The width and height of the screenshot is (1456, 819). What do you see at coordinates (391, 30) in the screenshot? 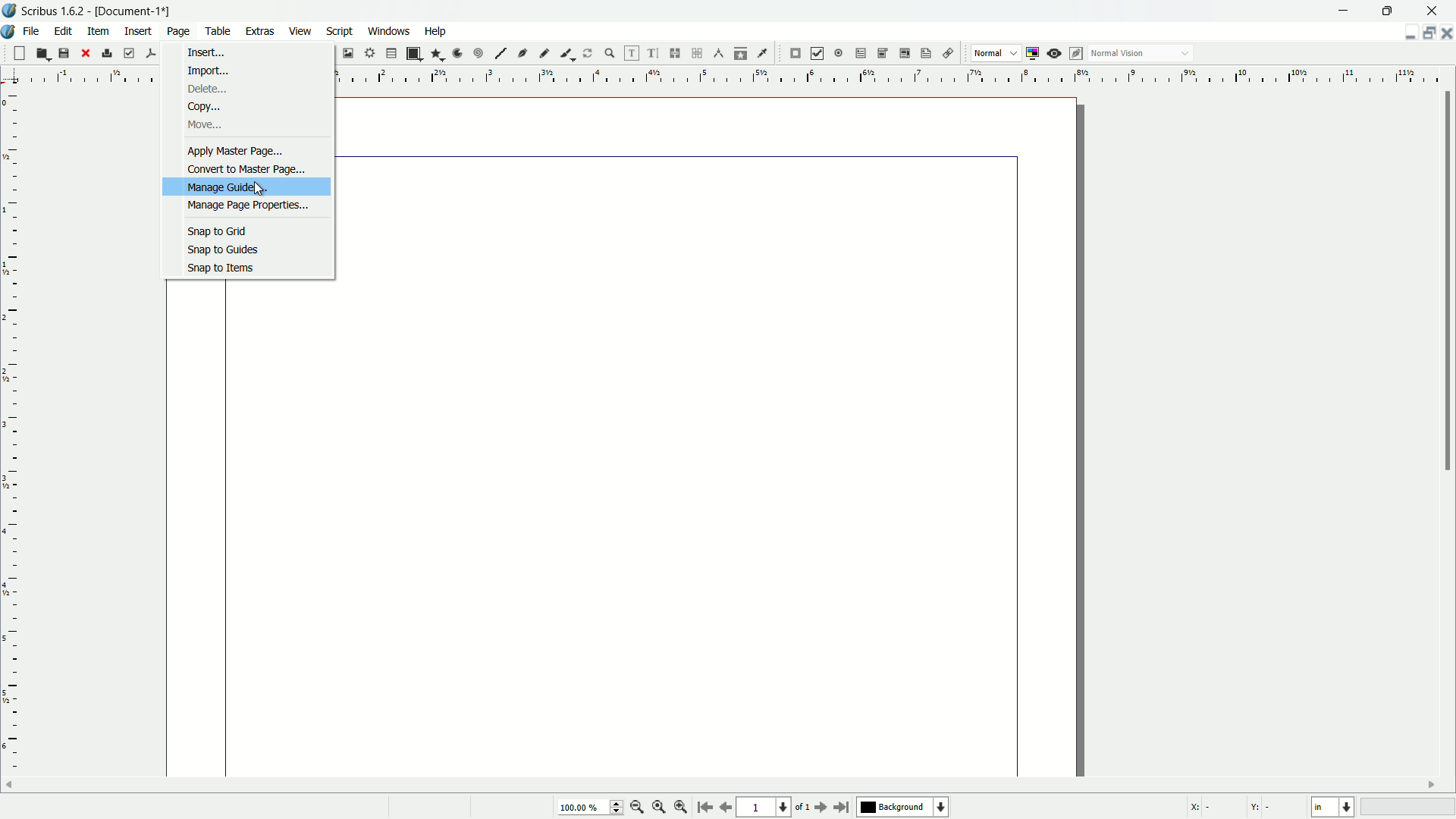
I see `windows menu` at bounding box center [391, 30].